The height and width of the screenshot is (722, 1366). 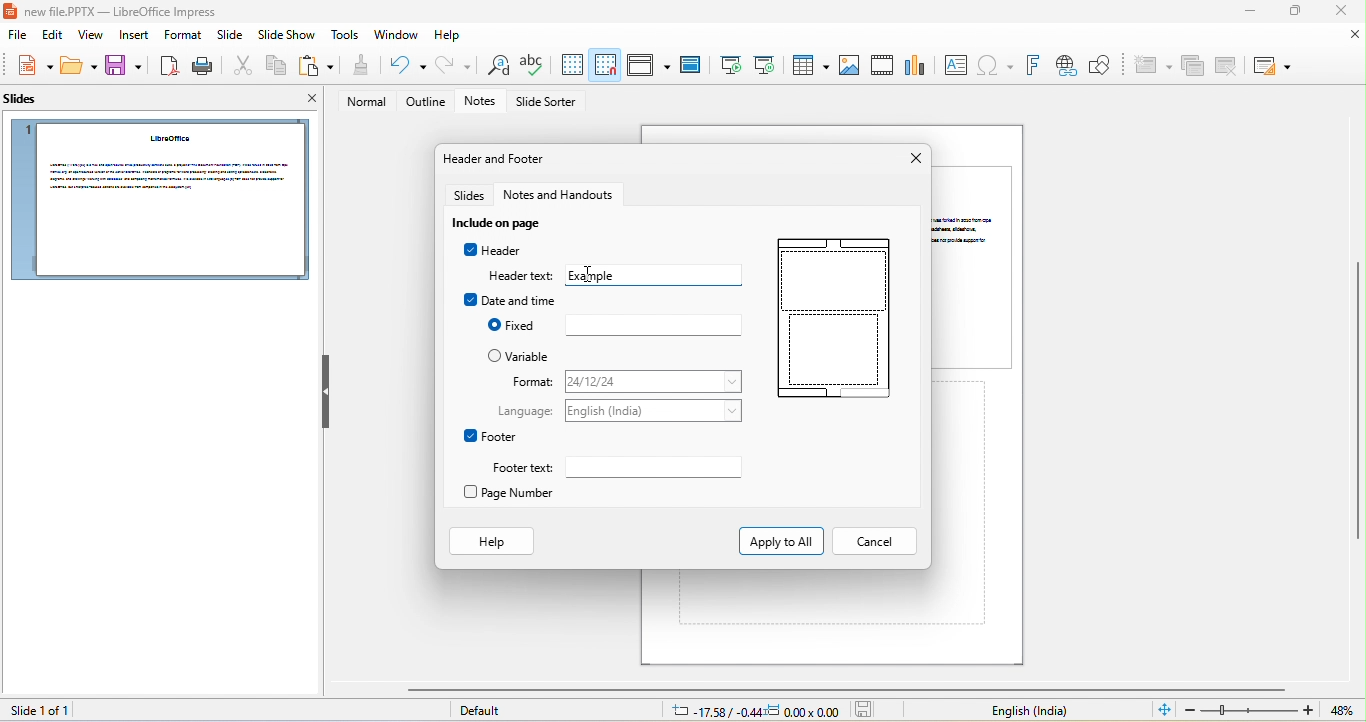 I want to click on find and replace, so click(x=494, y=67).